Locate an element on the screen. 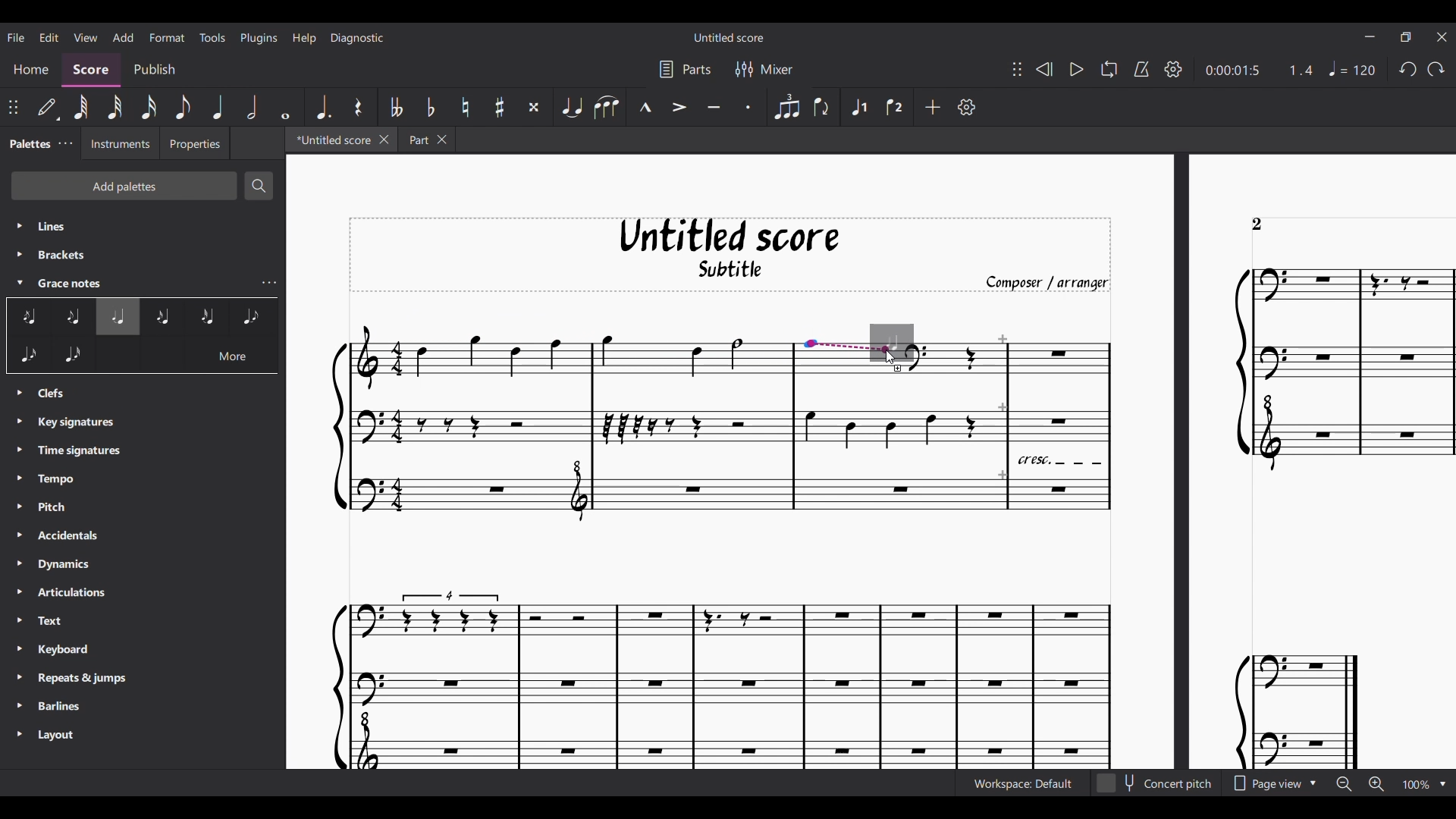 The height and width of the screenshot is (819, 1456). Accent is located at coordinates (678, 106).